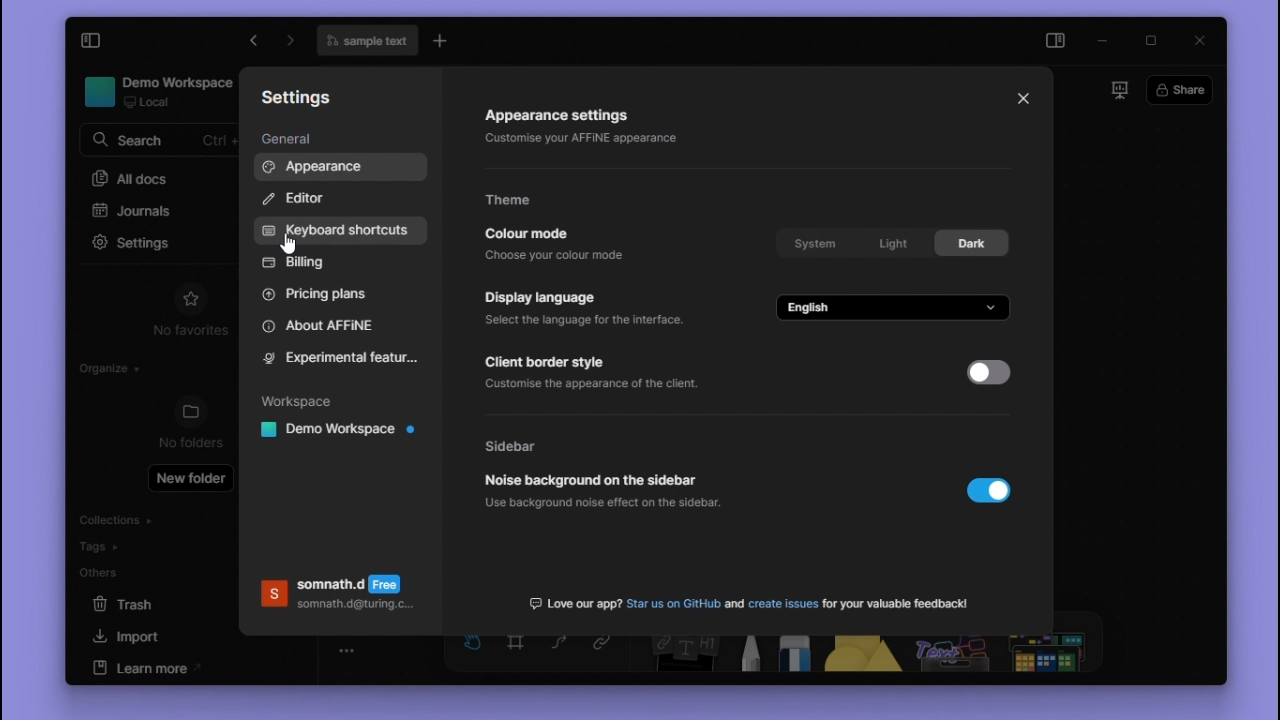 The height and width of the screenshot is (720, 1280). I want to click on settings, so click(125, 242).